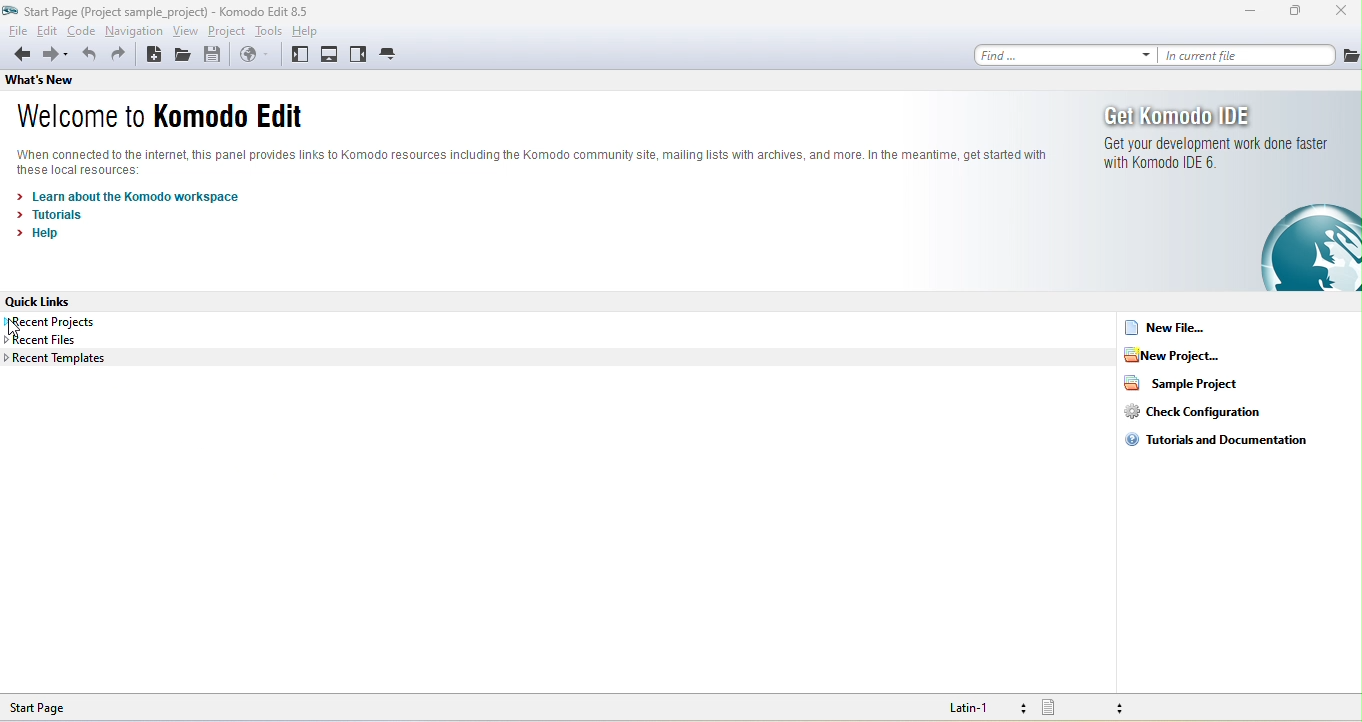 The width and height of the screenshot is (1362, 722). I want to click on help, so click(302, 31).